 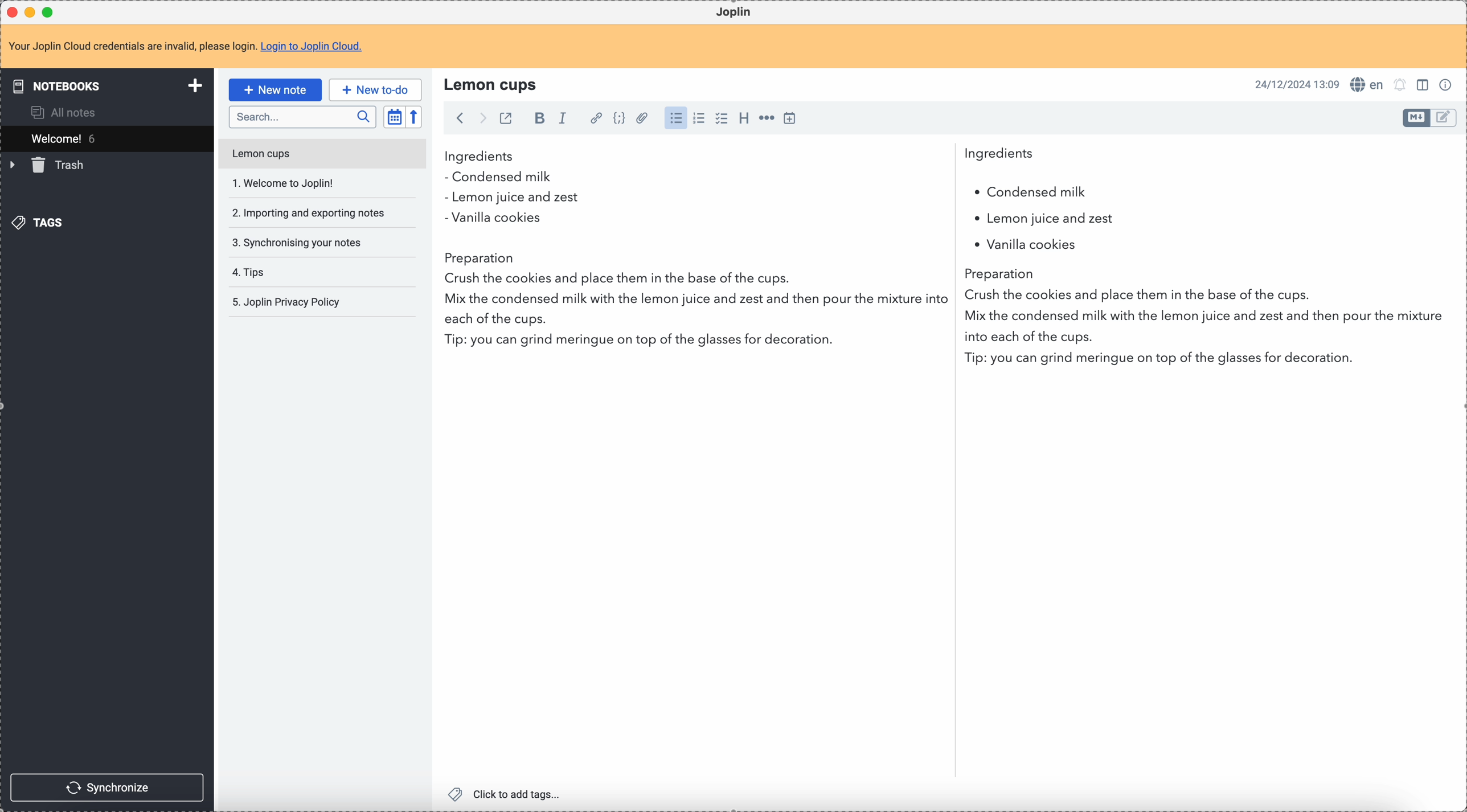 I want to click on lemon cups, so click(x=493, y=84).